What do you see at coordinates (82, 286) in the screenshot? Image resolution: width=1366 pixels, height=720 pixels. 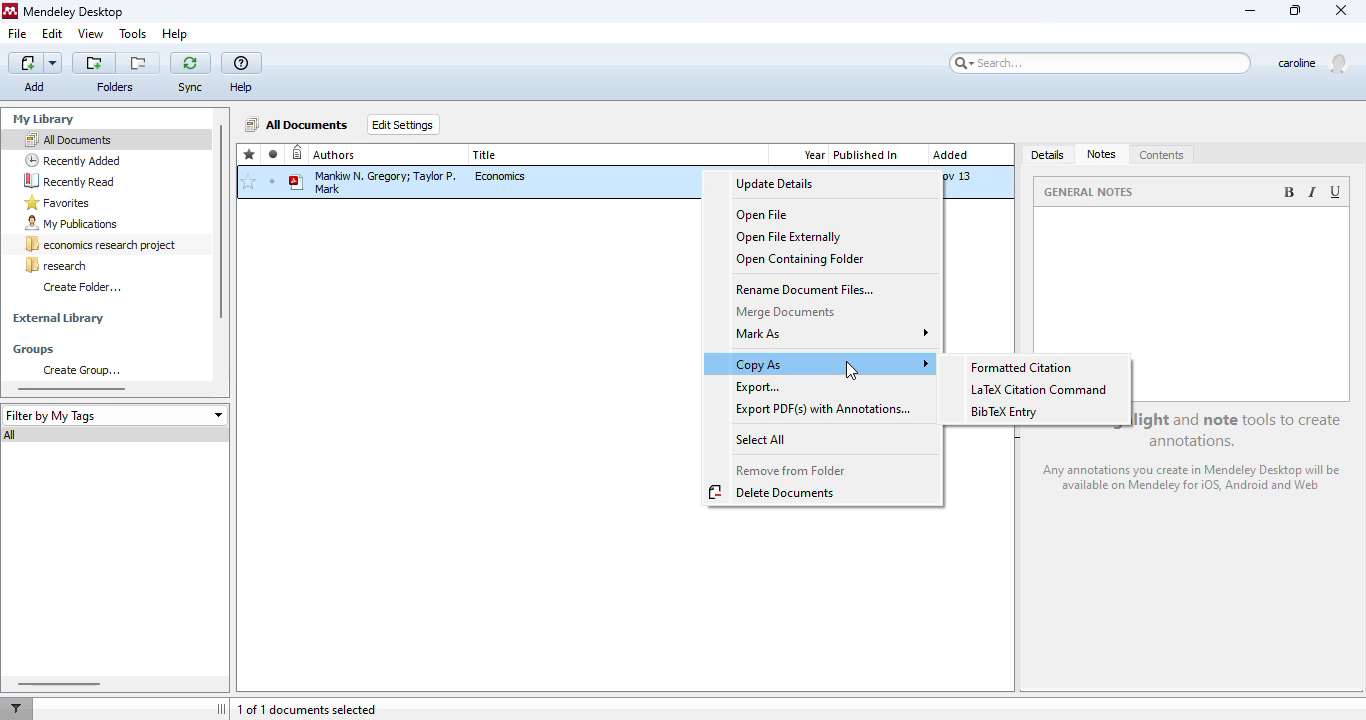 I see `create folder` at bounding box center [82, 286].